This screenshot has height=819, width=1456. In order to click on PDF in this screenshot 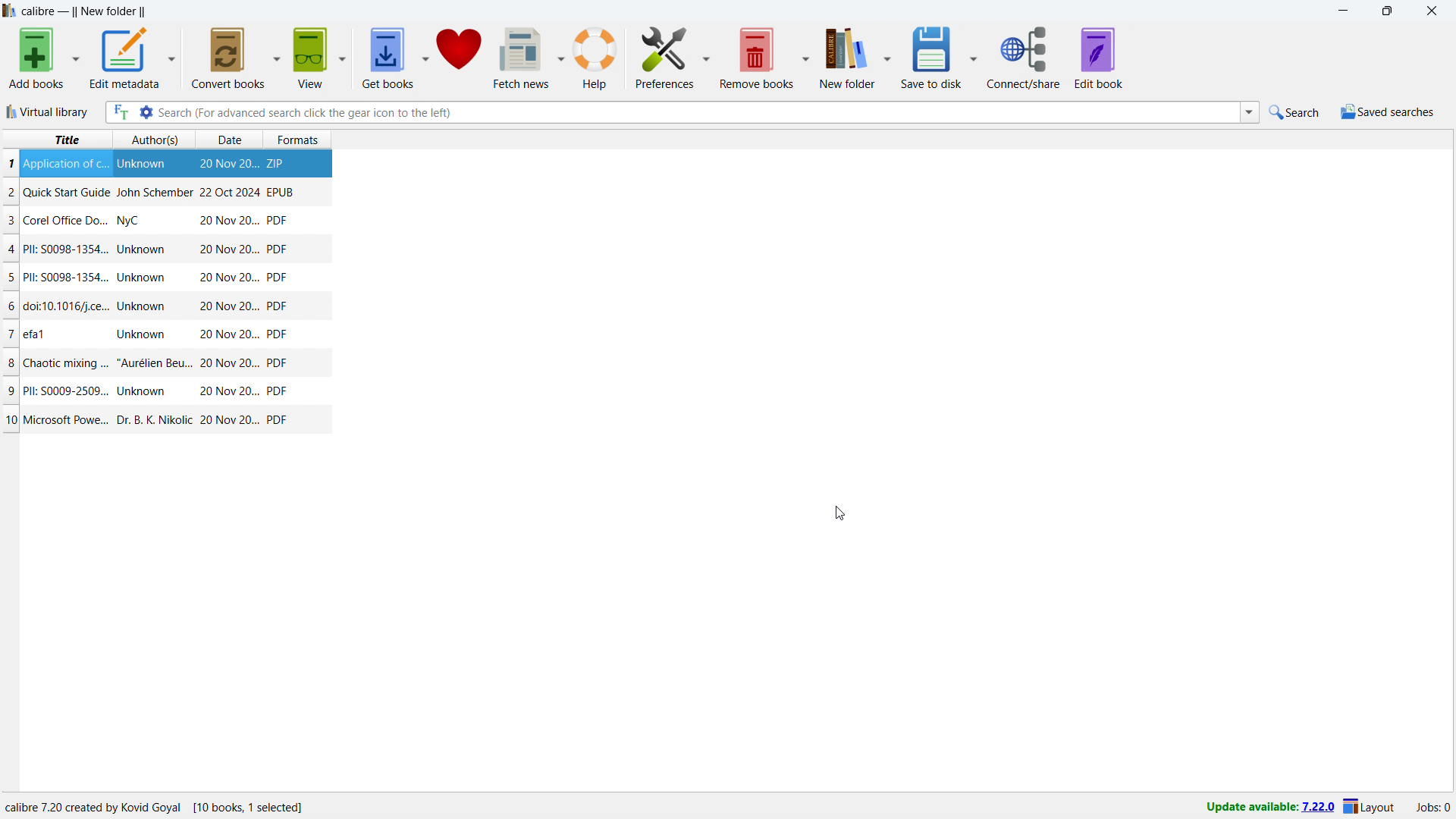, I will do `click(279, 364)`.